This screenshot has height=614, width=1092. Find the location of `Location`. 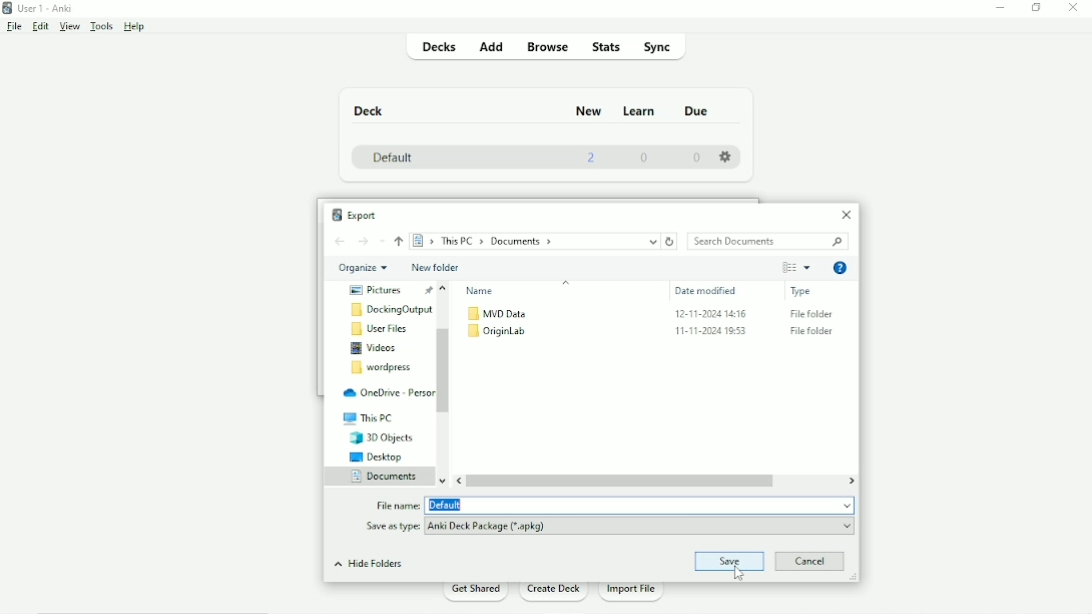

Location is located at coordinates (536, 241).